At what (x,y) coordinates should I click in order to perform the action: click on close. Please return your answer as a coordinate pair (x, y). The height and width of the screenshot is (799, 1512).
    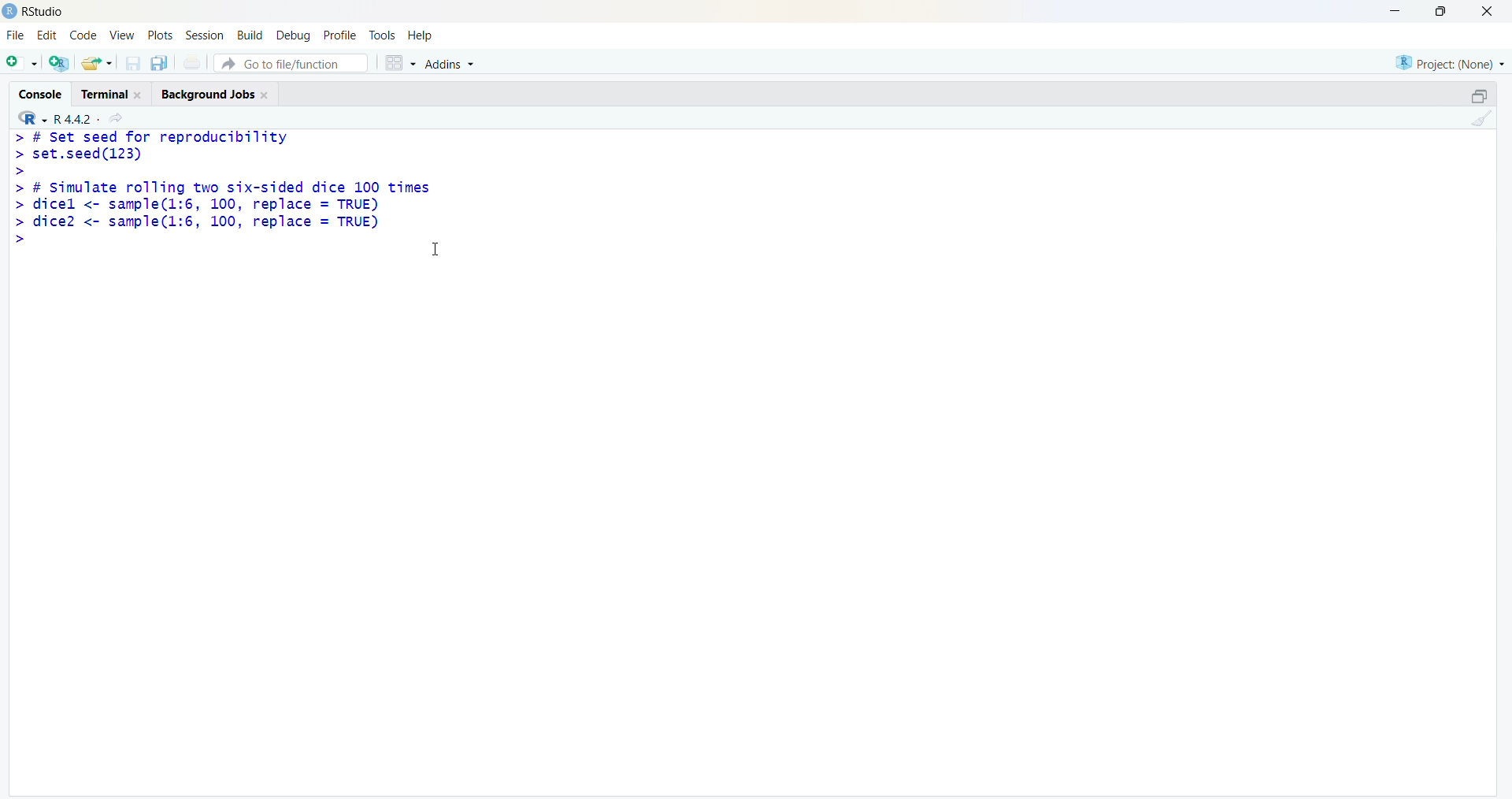
    Looking at the image, I should click on (266, 95).